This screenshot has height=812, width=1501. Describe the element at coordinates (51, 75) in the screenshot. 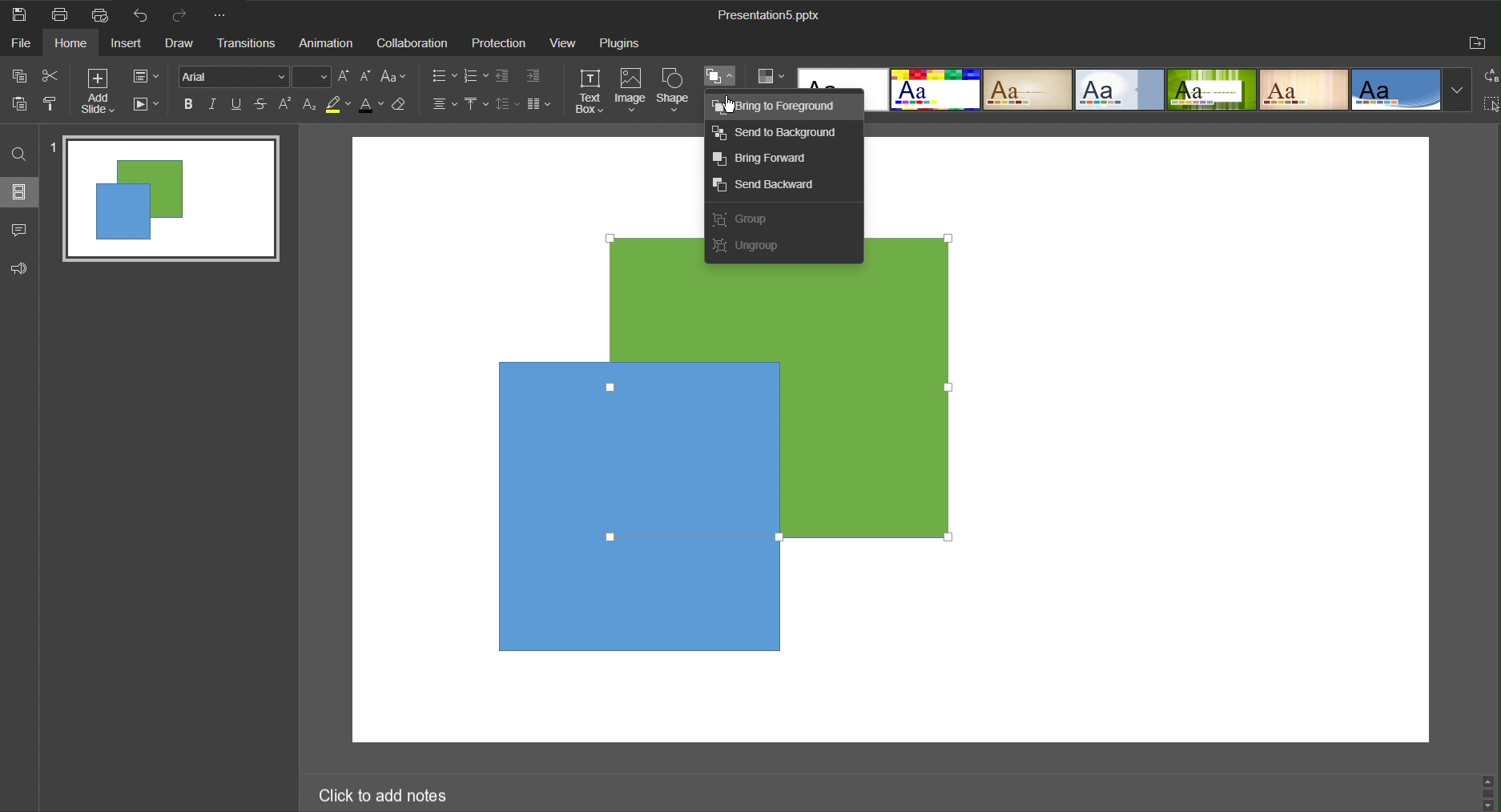

I see `Cut` at that location.